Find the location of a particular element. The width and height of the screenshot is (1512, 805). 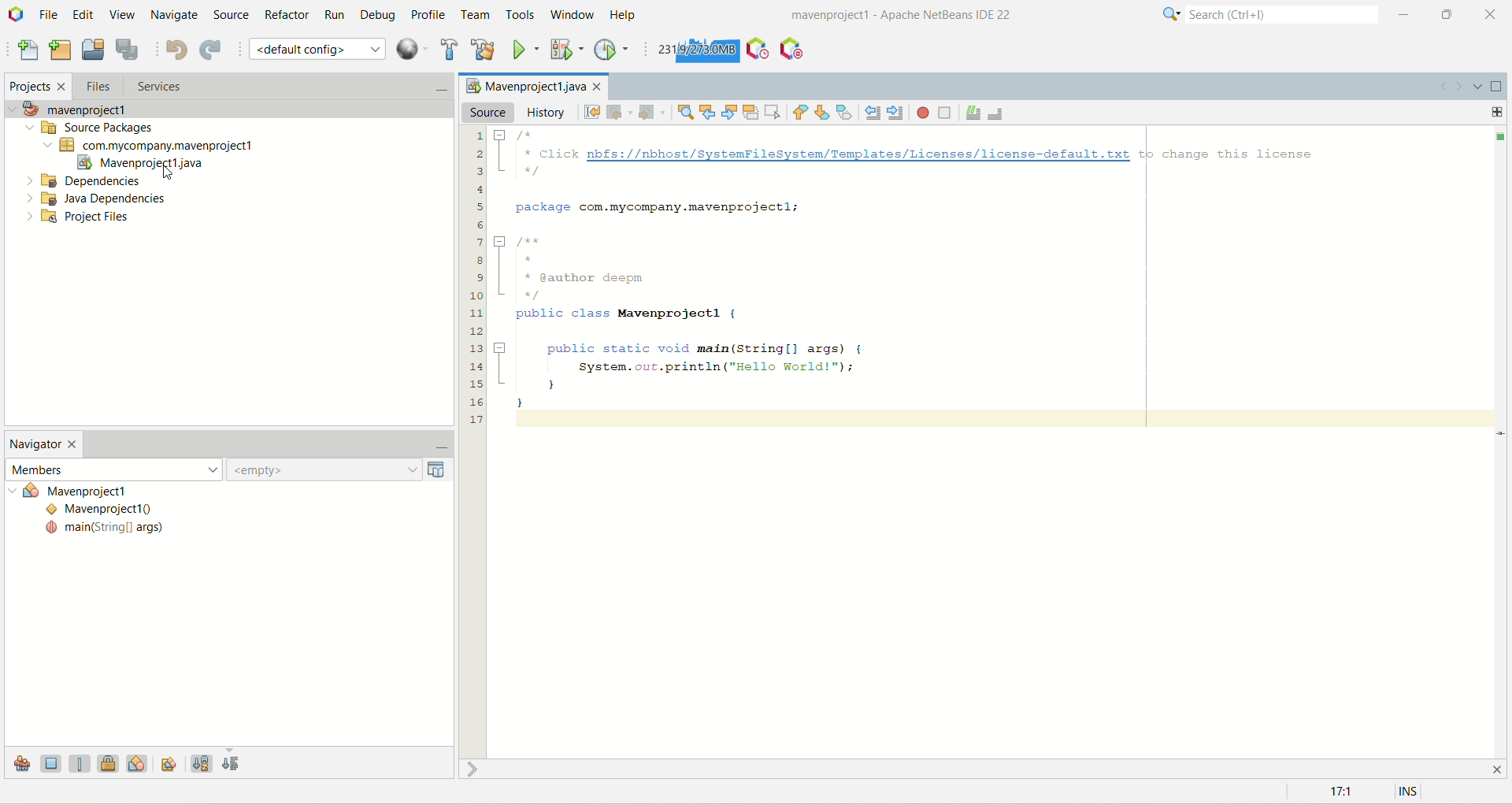

go forward is located at coordinates (1460, 87).